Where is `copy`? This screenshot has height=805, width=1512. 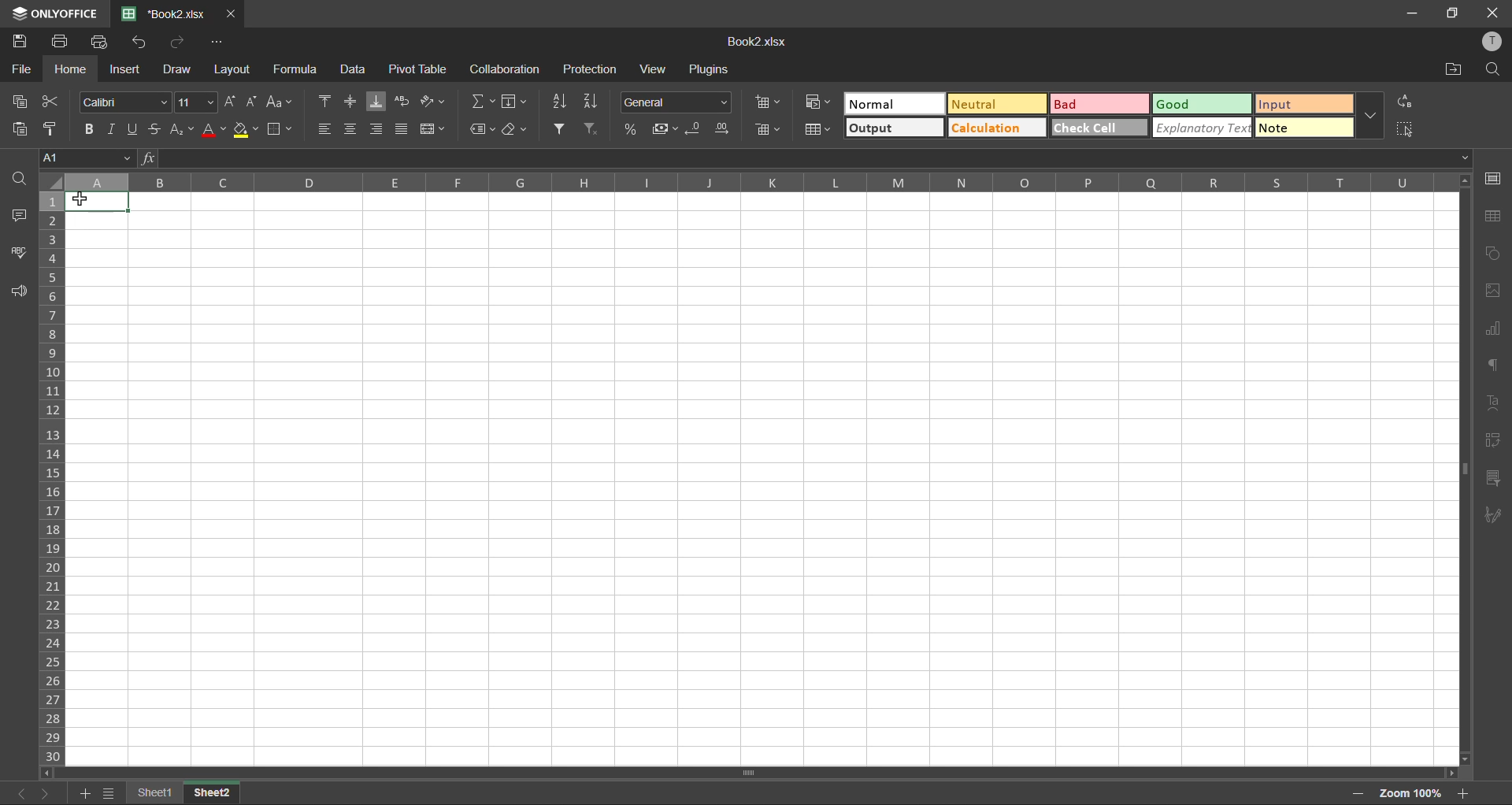 copy is located at coordinates (21, 101).